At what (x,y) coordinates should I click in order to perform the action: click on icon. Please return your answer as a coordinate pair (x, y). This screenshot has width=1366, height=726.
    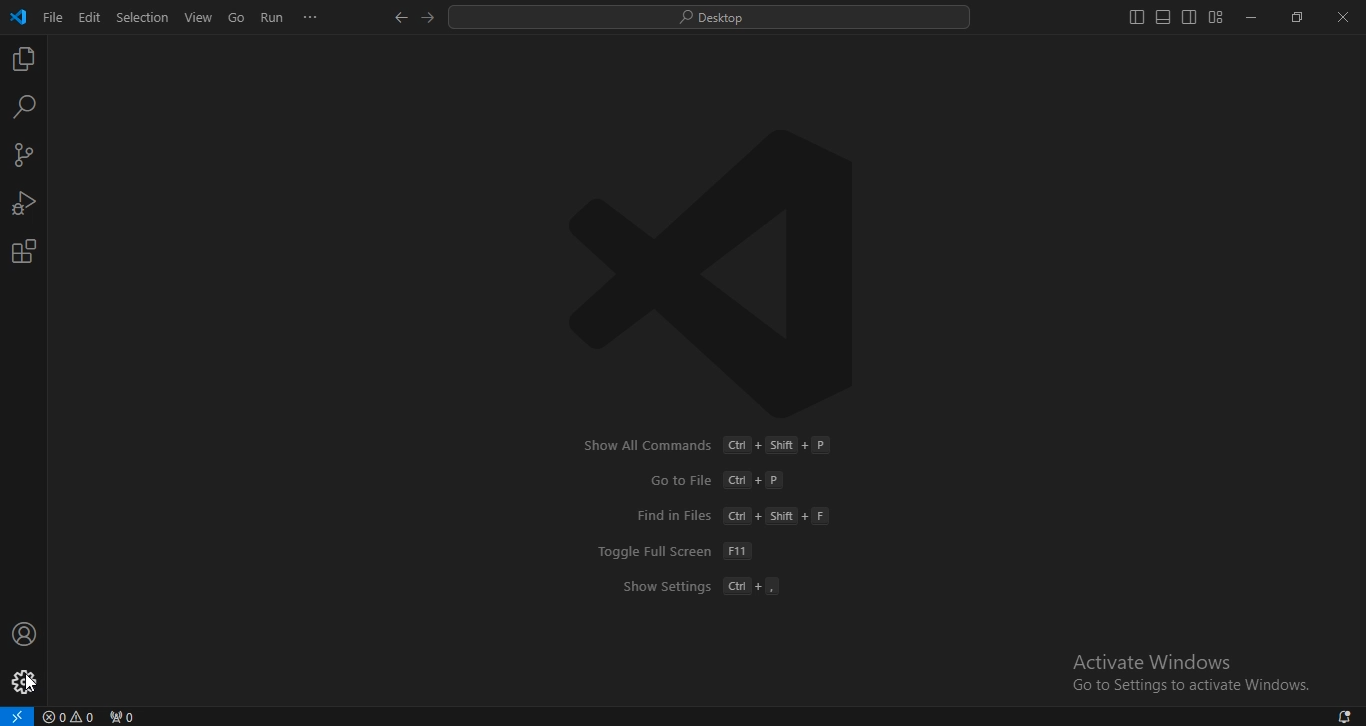
    Looking at the image, I should click on (20, 19).